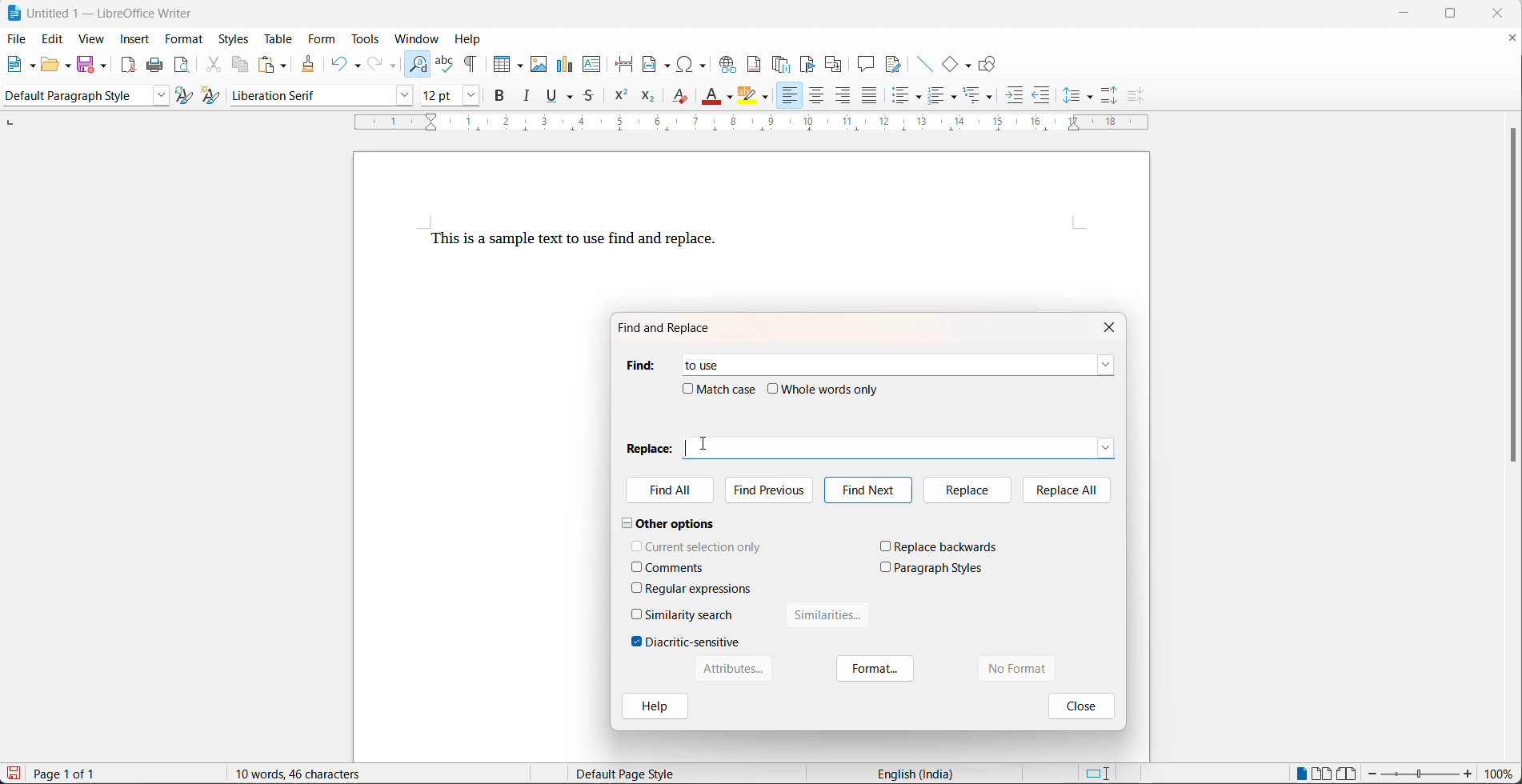  What do you see at coordinates (467, 98) in the screenshot?
I see `font size options` at bounding box center [467, 98].